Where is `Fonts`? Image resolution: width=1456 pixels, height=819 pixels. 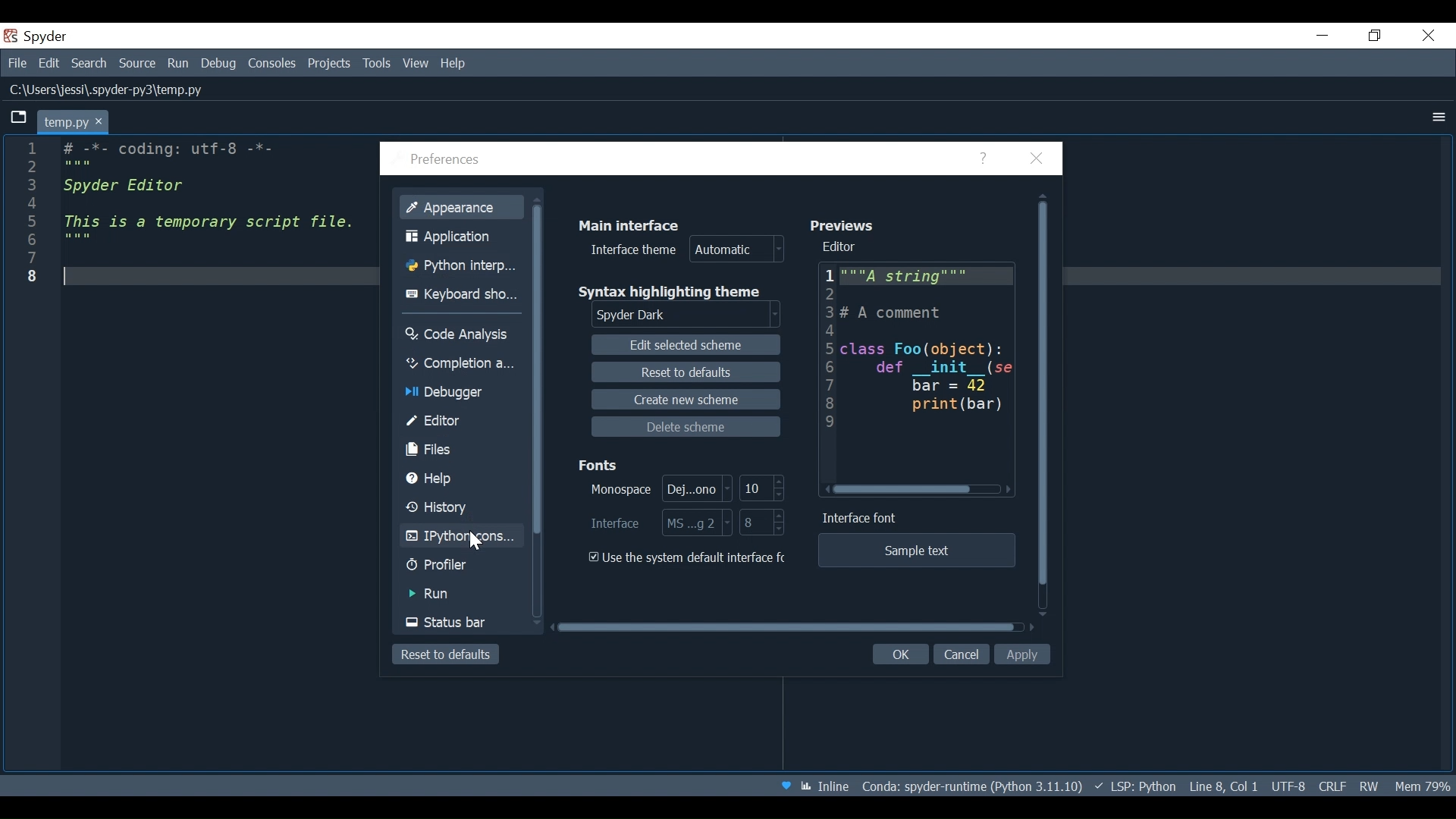 Fonts is located at coordinates (600, 463).